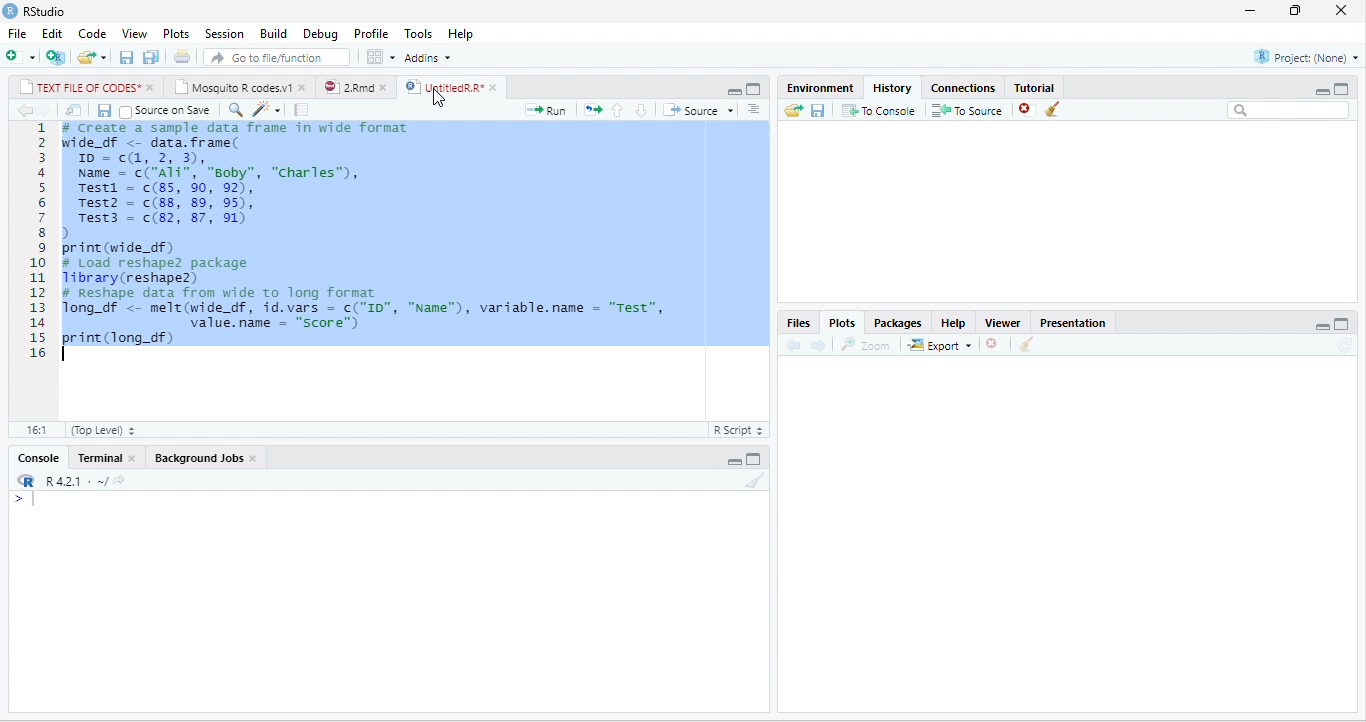  What do you see at coordinates (899, 323) in the screenshot?
I see `Packages` at bounding box center [899, 323].